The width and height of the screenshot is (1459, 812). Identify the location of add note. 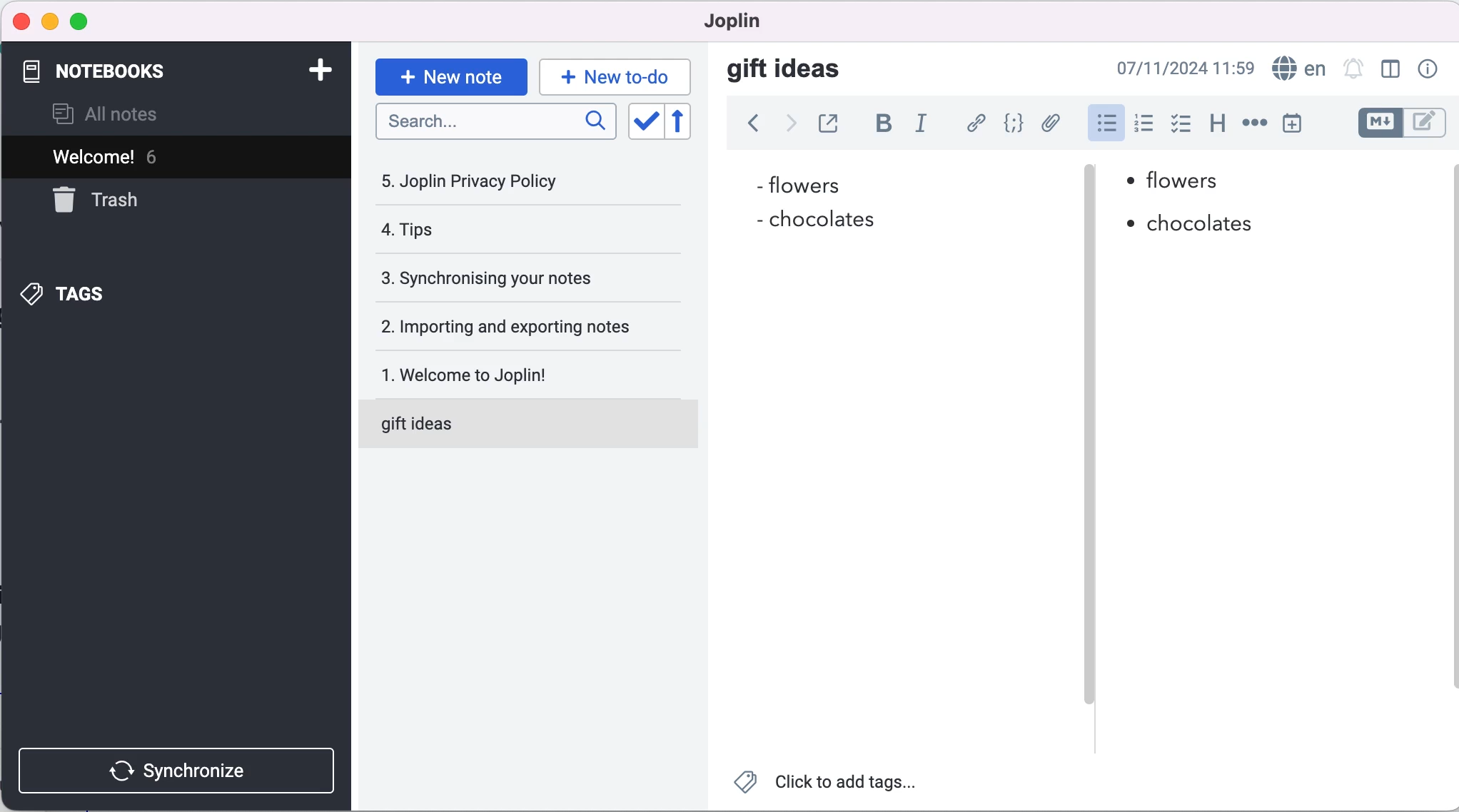
(313, 69).